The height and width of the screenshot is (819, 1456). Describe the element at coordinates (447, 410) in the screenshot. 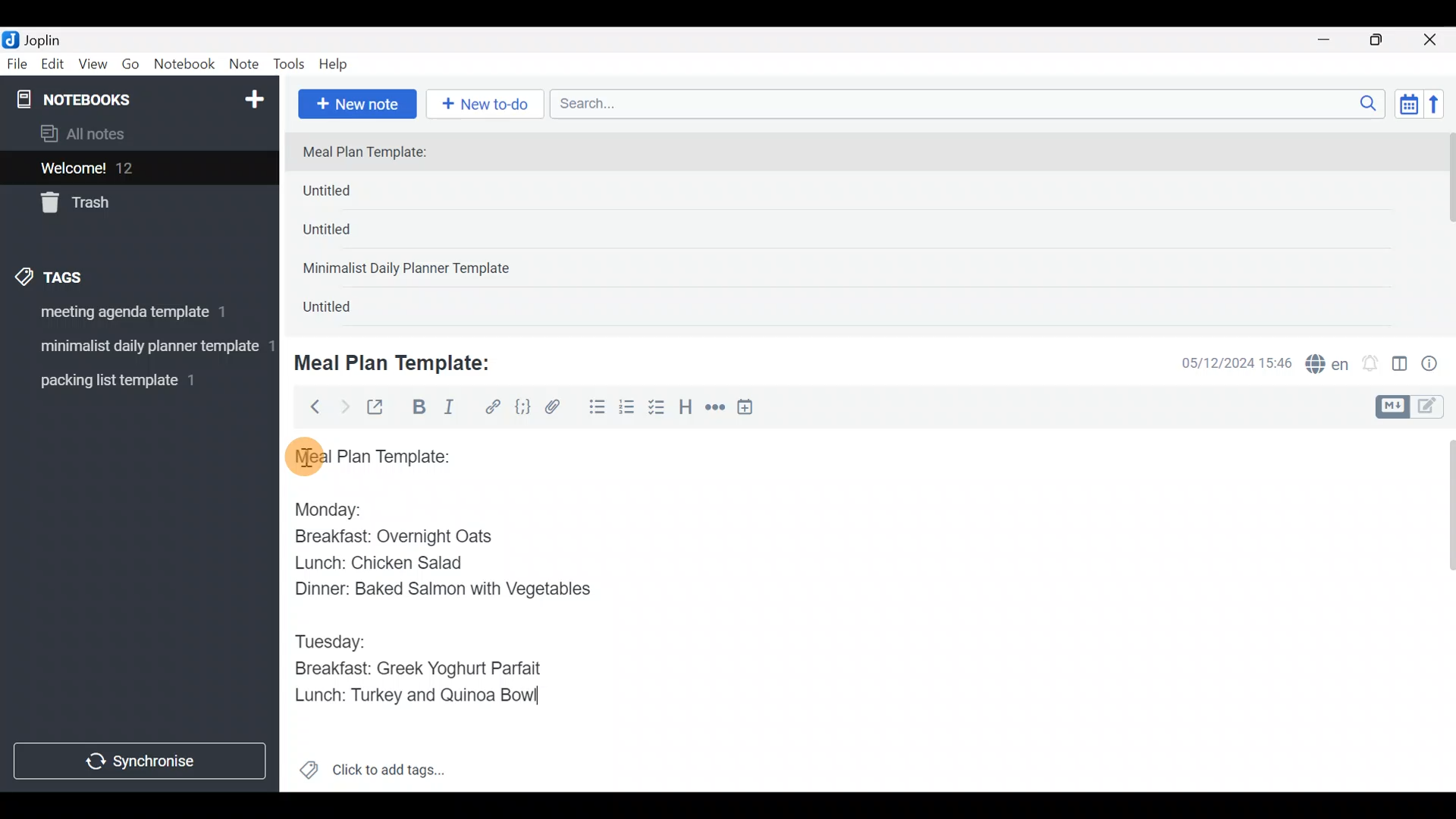

I see `Italic` at that location.